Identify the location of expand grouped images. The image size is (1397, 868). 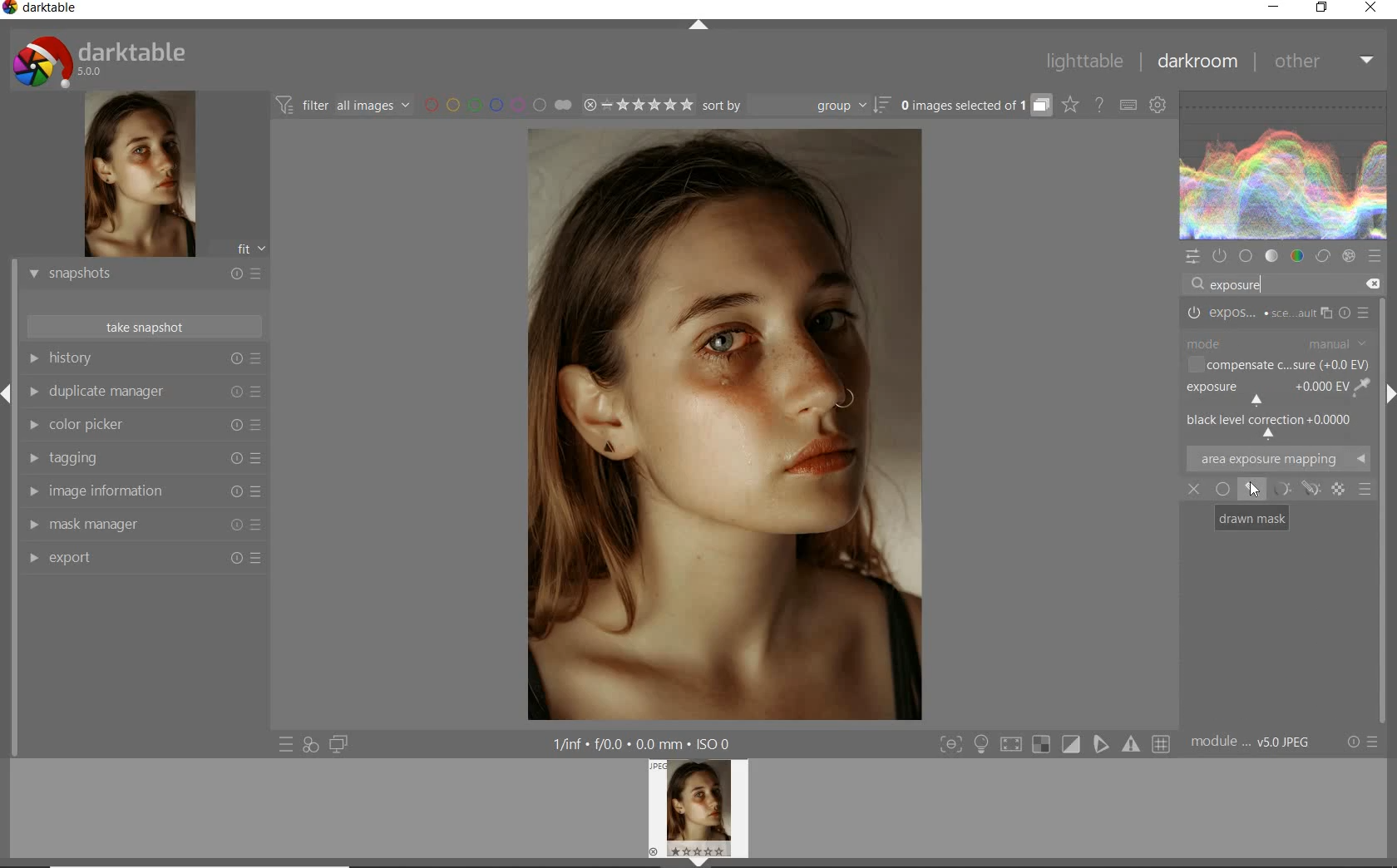
(974, 106).